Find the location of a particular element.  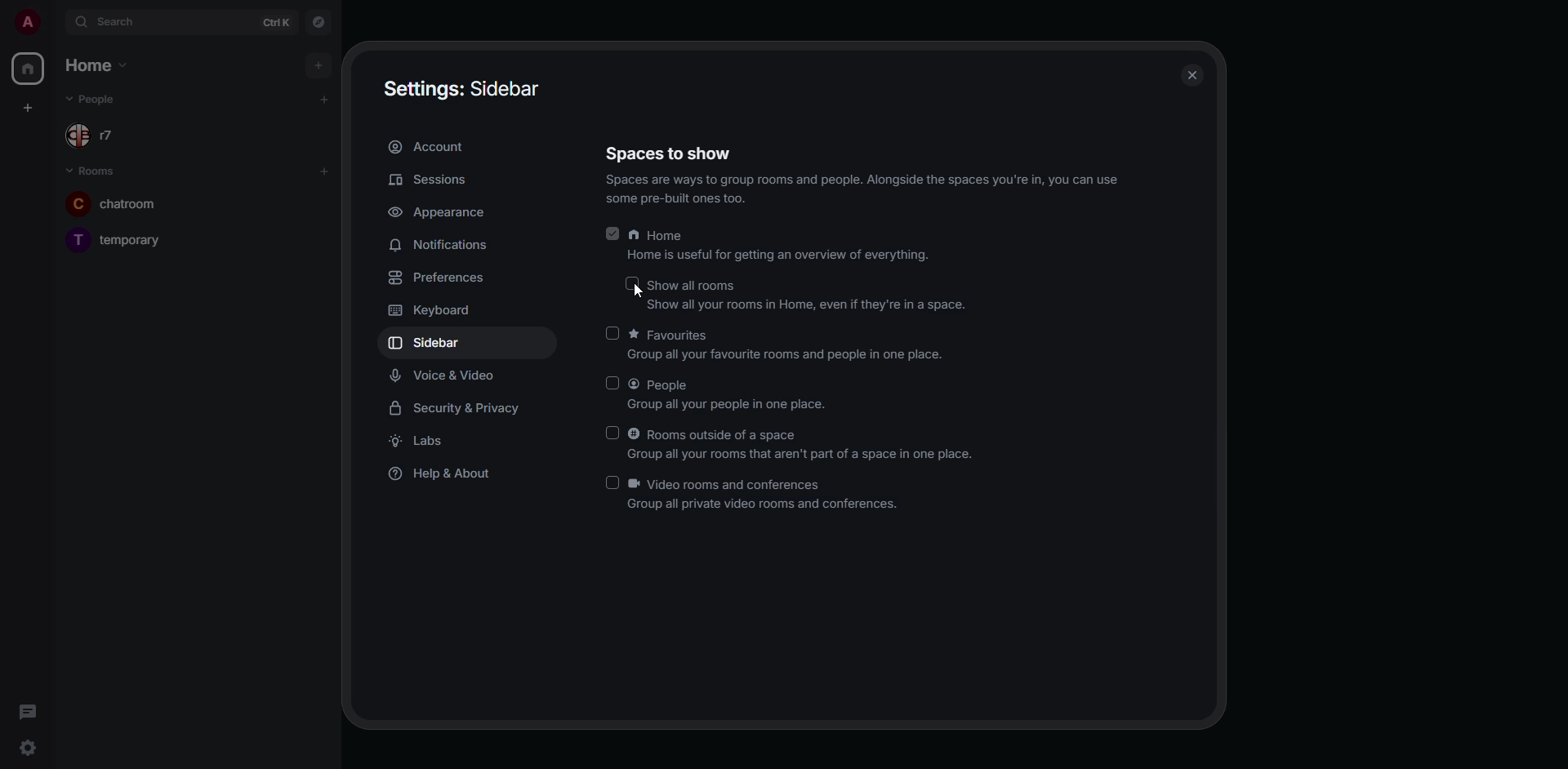

add is located at coordinates (319, 65).